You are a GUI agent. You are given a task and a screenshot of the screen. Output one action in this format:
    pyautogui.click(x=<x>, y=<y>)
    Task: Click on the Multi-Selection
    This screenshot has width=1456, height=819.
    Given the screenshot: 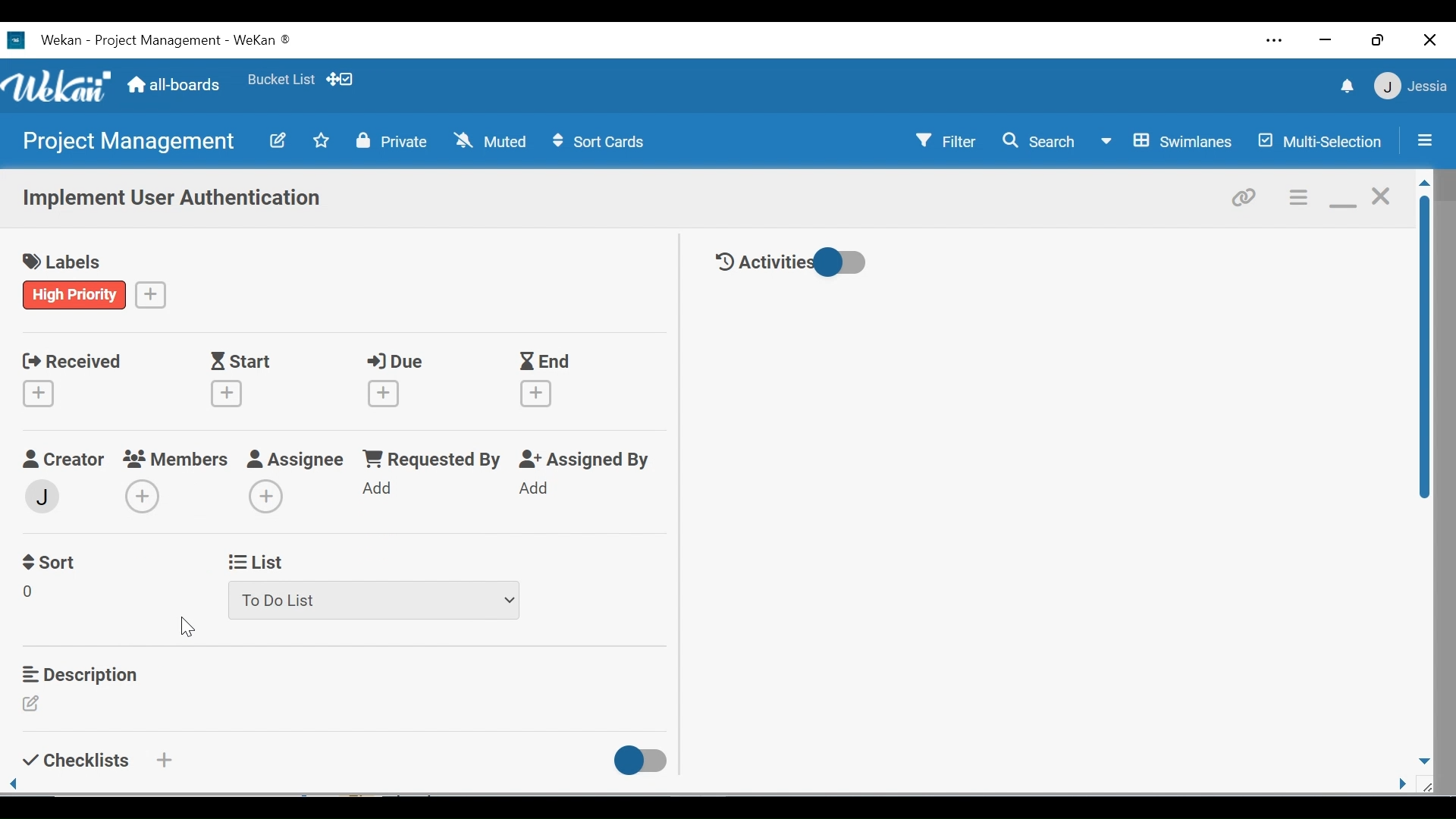 What is the action you would take?
    pyautogui.click(x=1323, y=142)
    